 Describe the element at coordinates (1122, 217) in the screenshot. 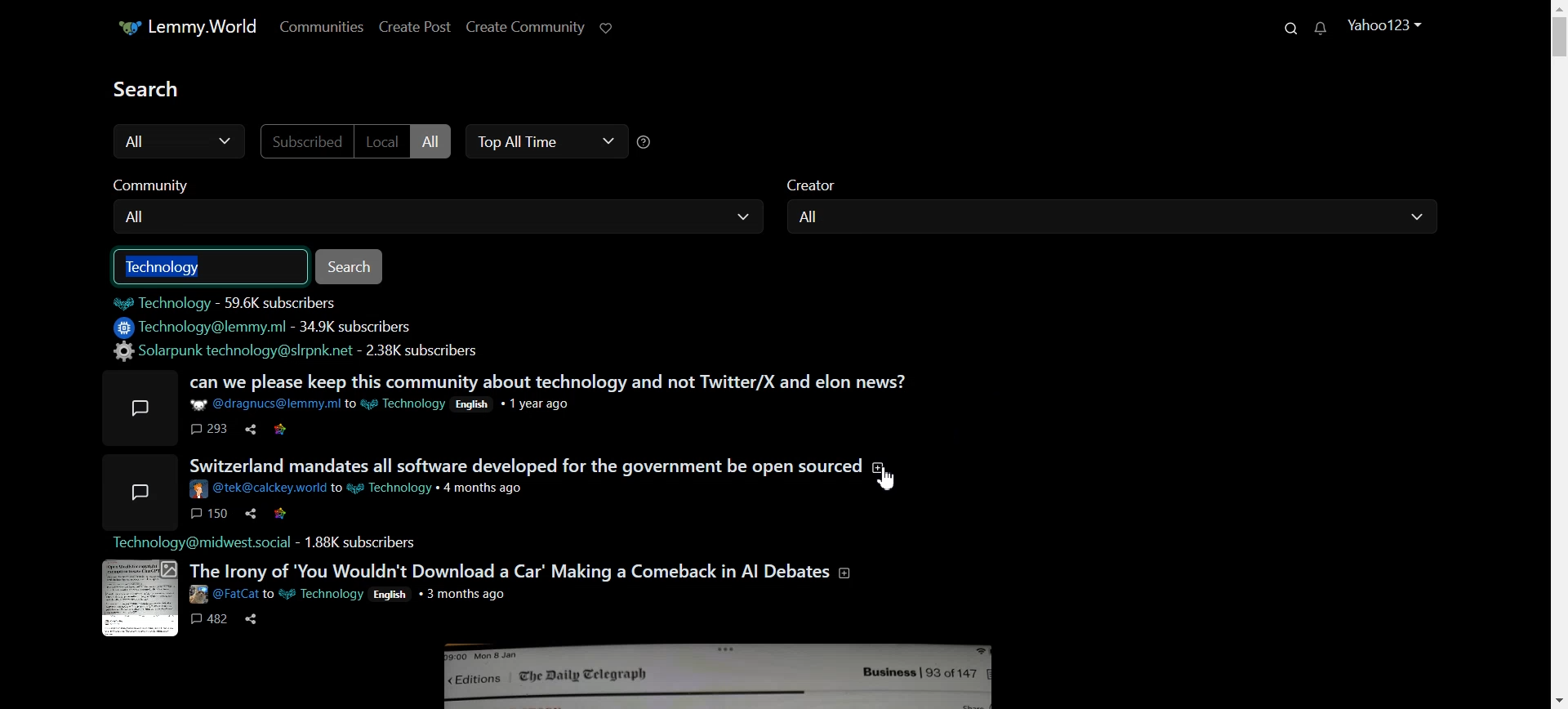

I see `All` at that location.